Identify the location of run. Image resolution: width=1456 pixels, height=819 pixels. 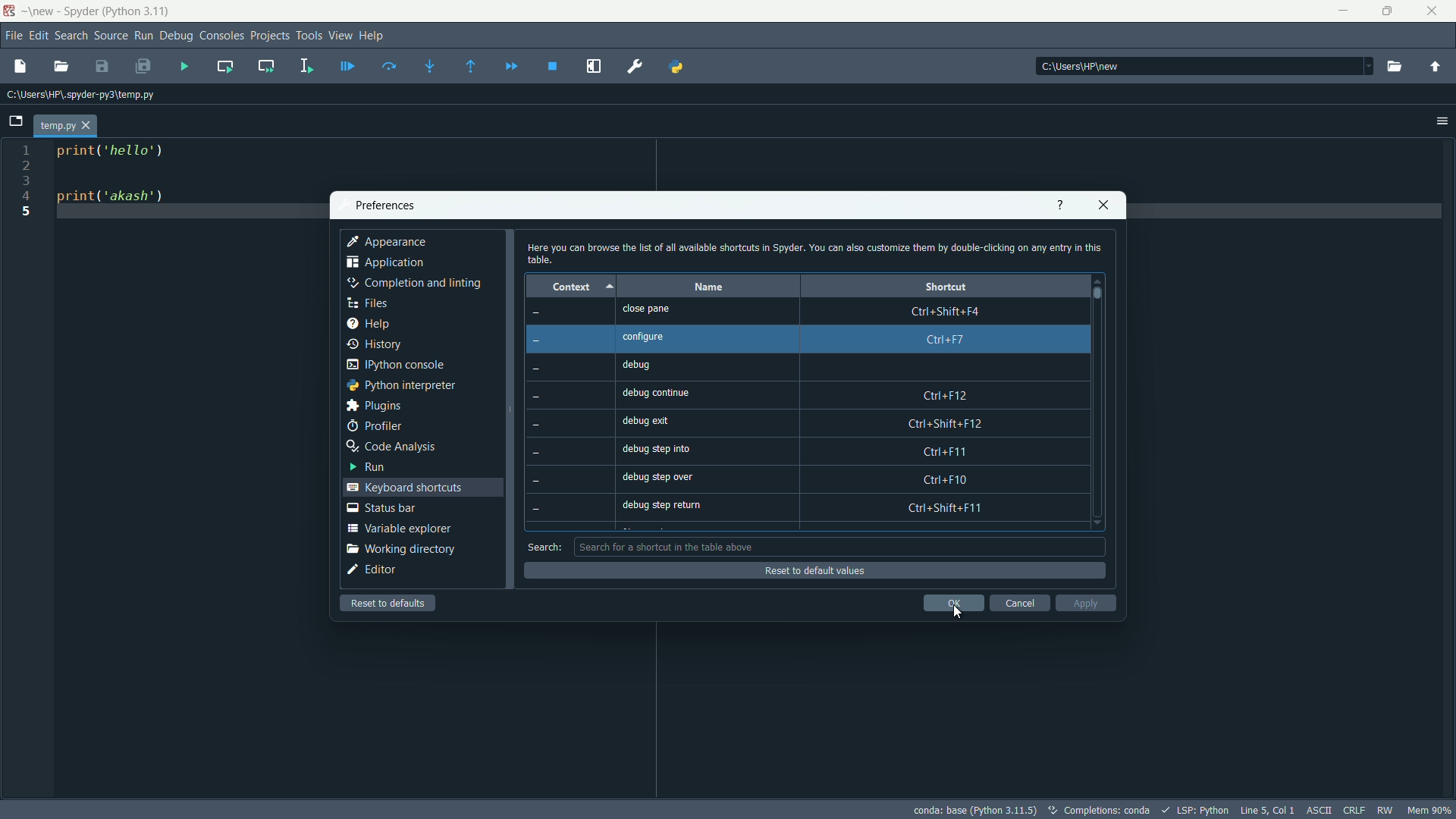
(368, 466).